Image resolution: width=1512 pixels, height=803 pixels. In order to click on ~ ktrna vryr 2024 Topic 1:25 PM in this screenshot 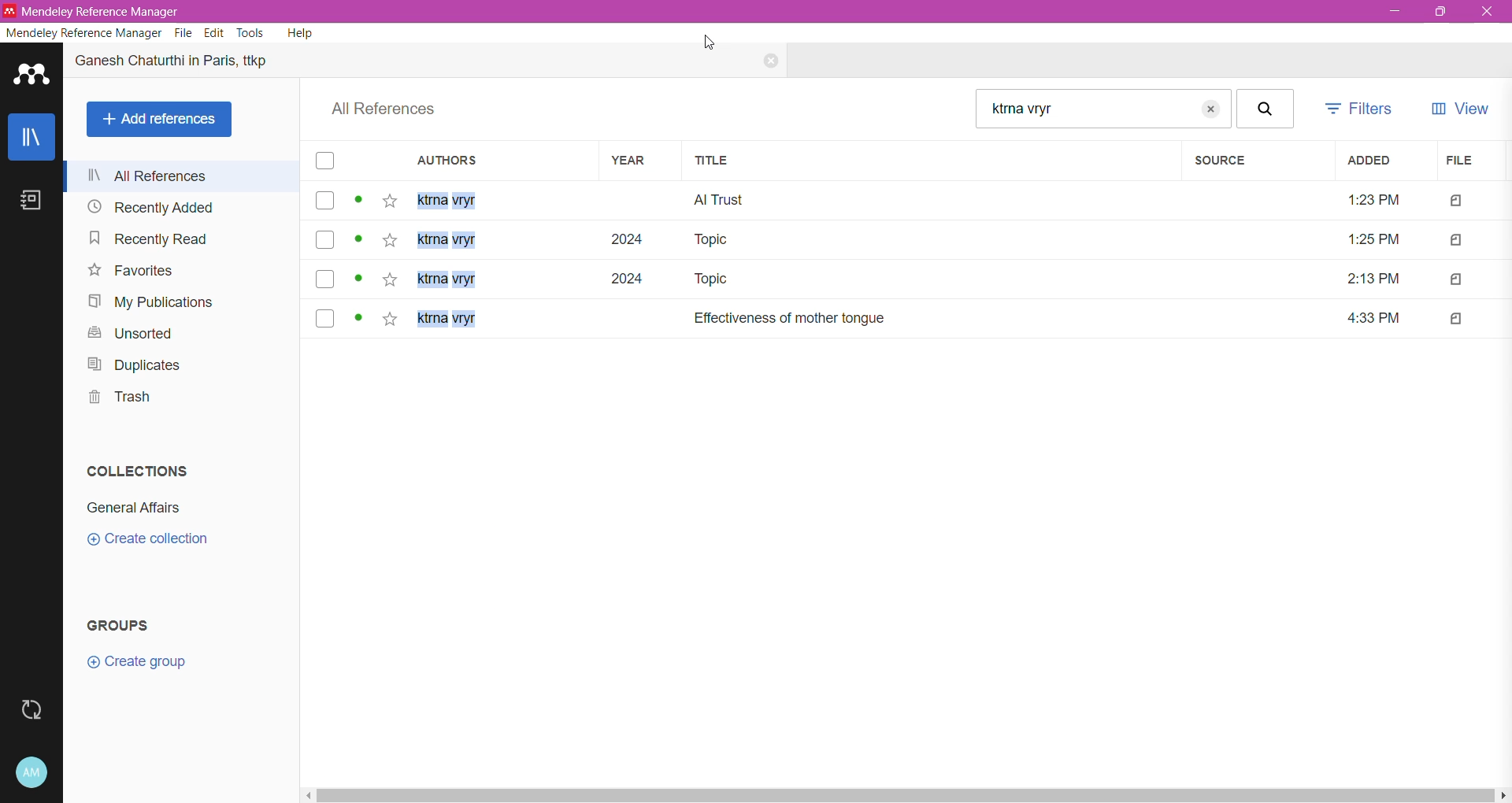, I will do `click(913, 239)`.